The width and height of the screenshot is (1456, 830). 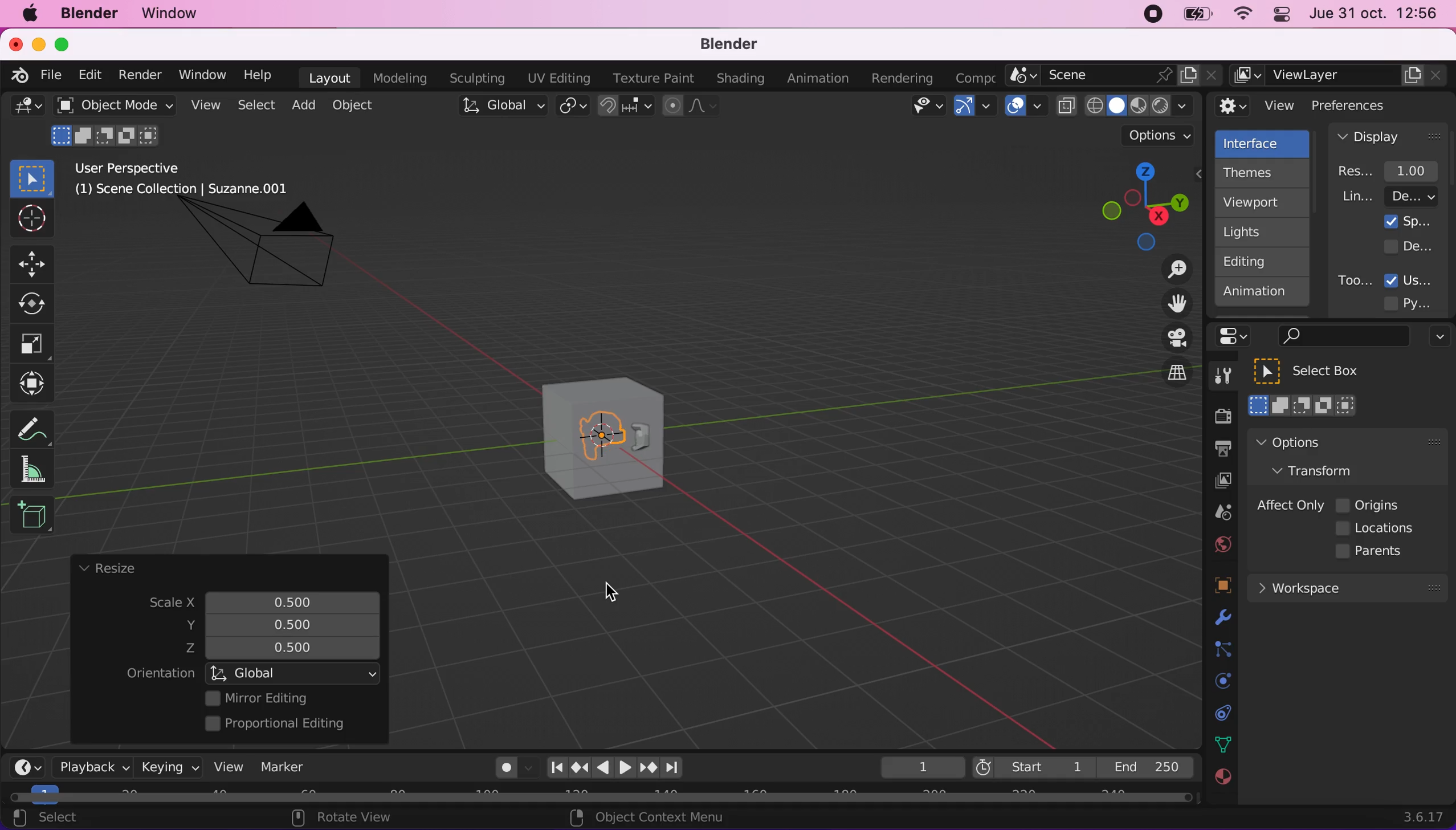 I want to click on close, so click(x=15, y=43).